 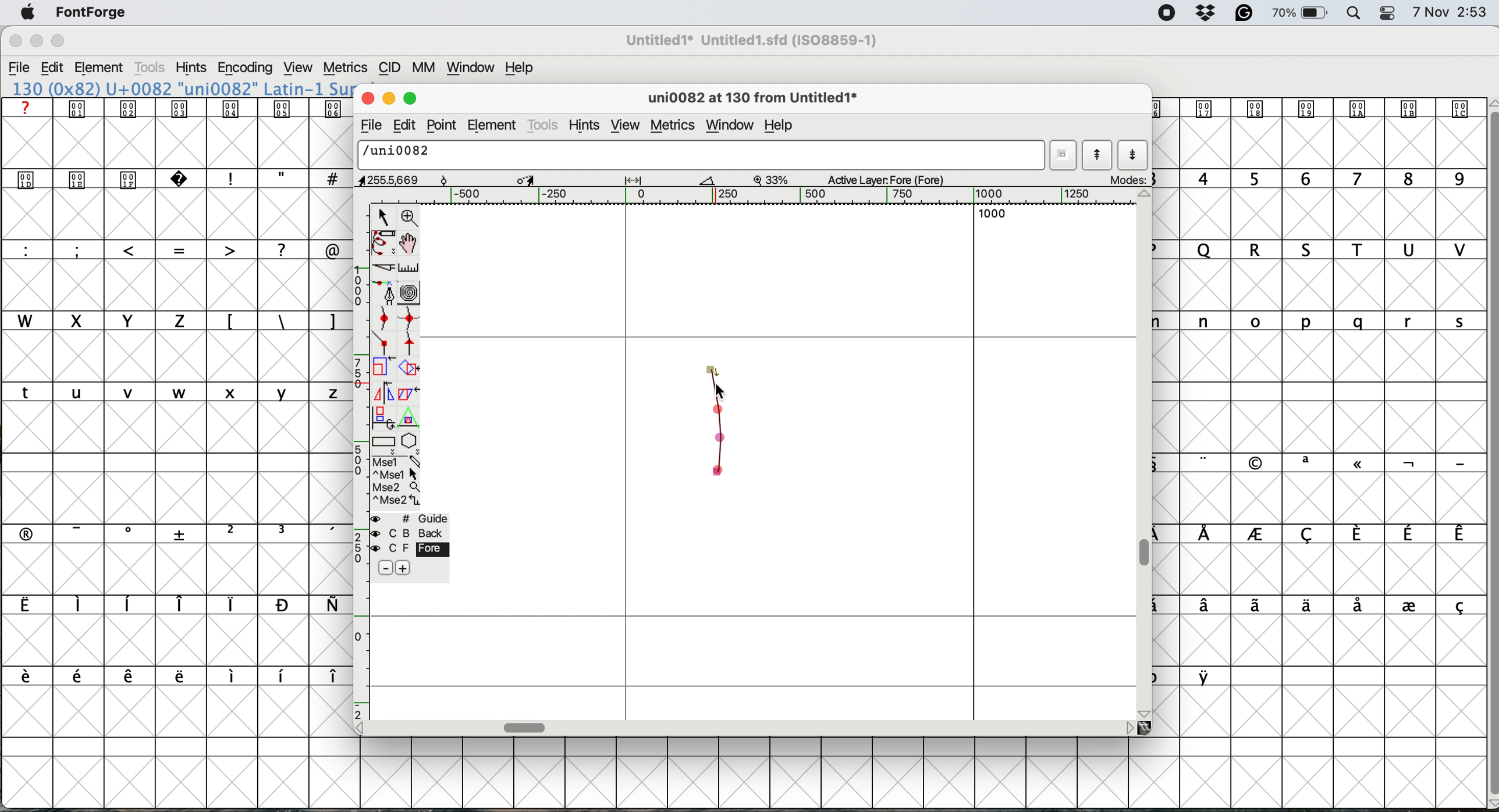 I want to click on special icons, so click(x=1316, y=109).